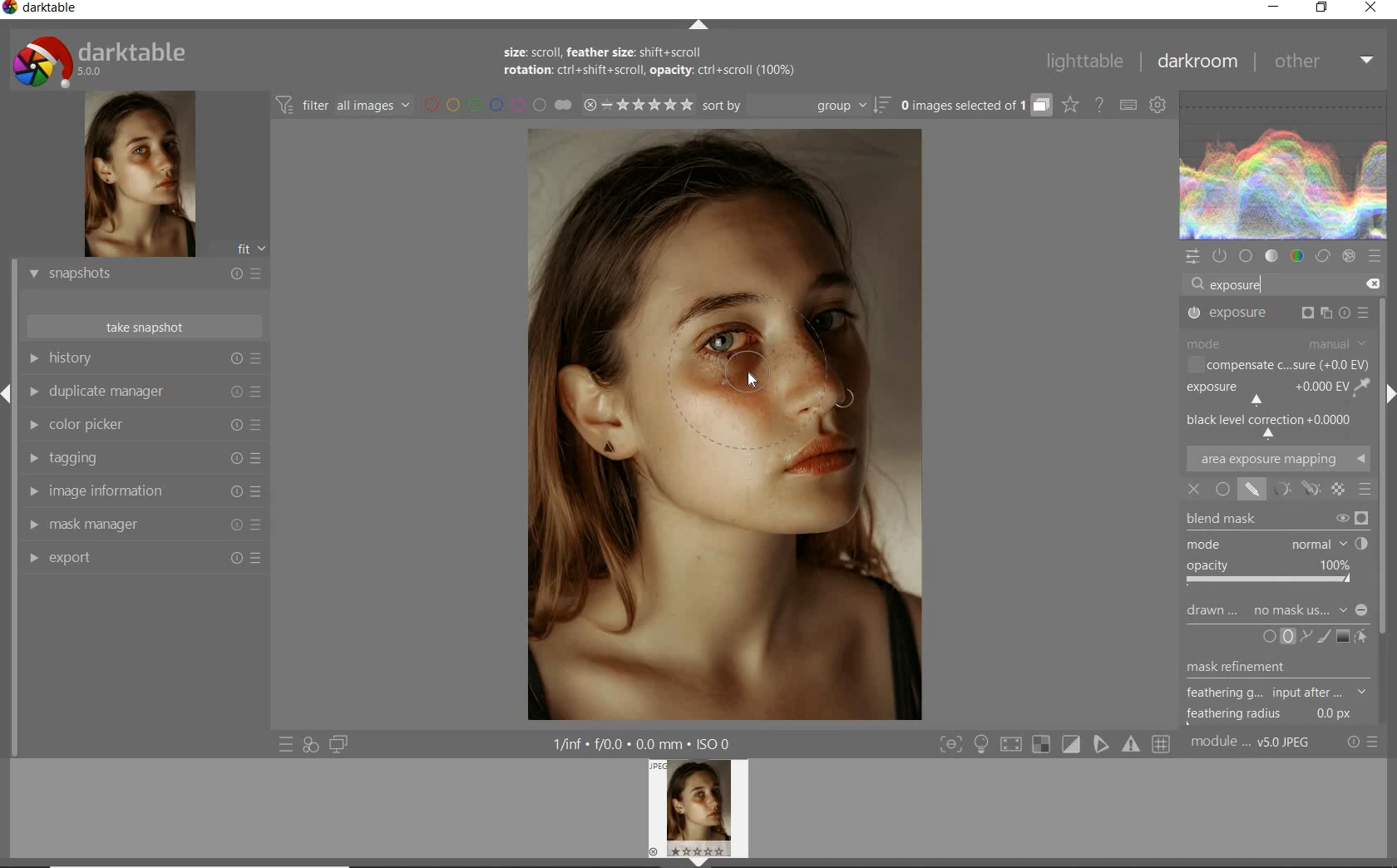 This screenshot has height=868, width=1397. Describe the element at coordinates (142, 274) in the screenshot. I see `snapshots` at that location.